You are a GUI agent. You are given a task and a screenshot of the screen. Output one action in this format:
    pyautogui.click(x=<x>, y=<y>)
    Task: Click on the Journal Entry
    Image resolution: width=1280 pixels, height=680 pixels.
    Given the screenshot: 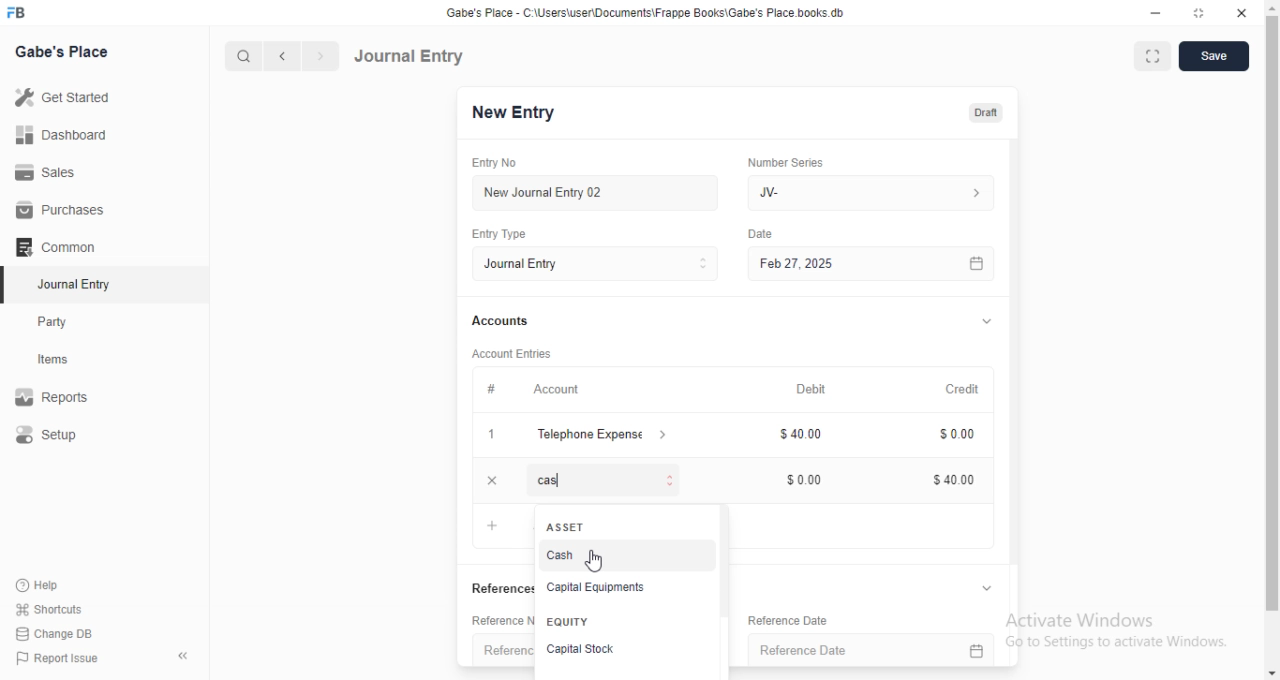 What is the action you would take?
    pyautogui.click(x=412, y=55)
    